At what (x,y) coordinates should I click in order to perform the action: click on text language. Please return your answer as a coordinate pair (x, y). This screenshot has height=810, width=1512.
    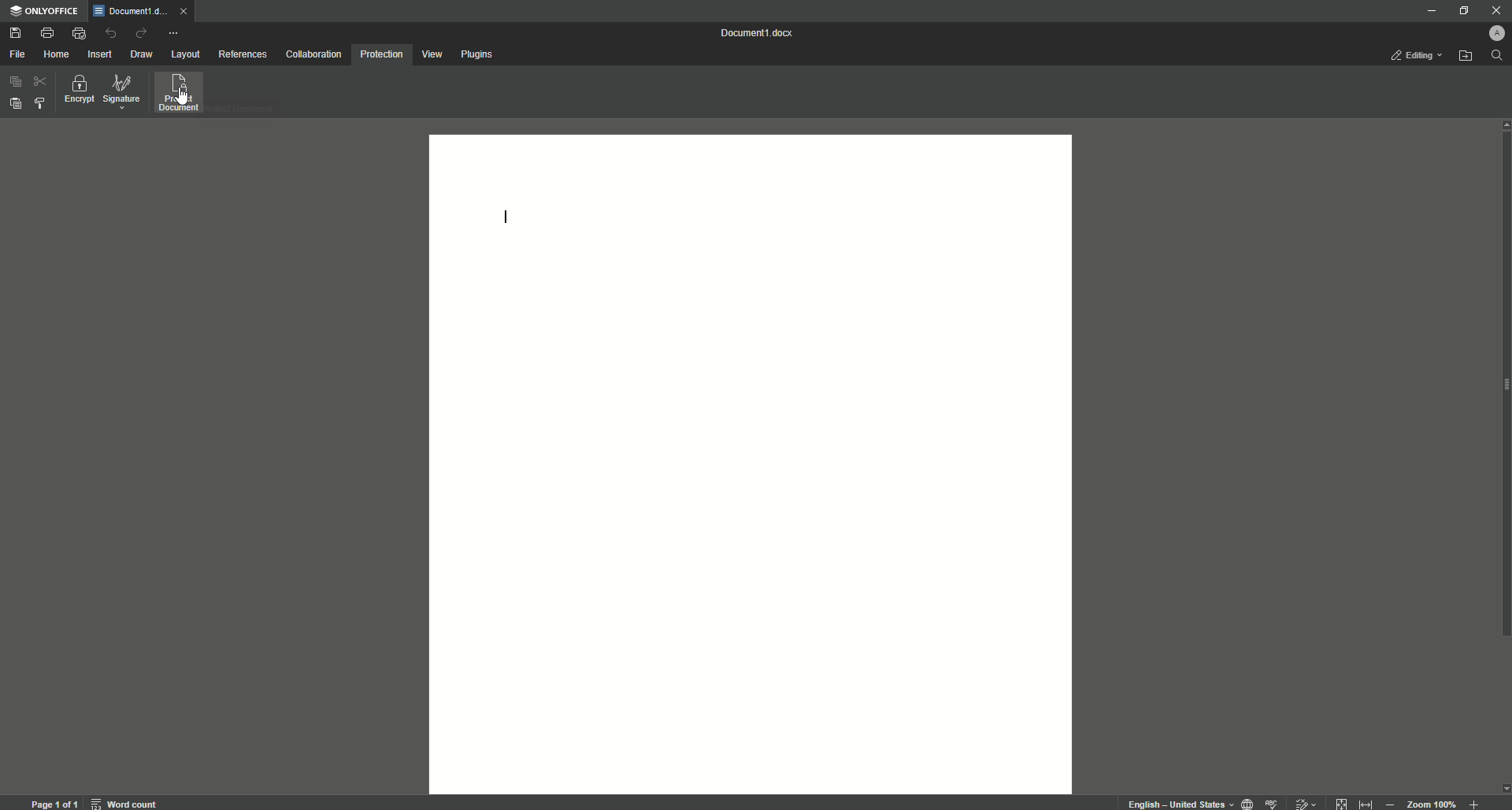
    Looking at the image, I should click on (1179, 804).